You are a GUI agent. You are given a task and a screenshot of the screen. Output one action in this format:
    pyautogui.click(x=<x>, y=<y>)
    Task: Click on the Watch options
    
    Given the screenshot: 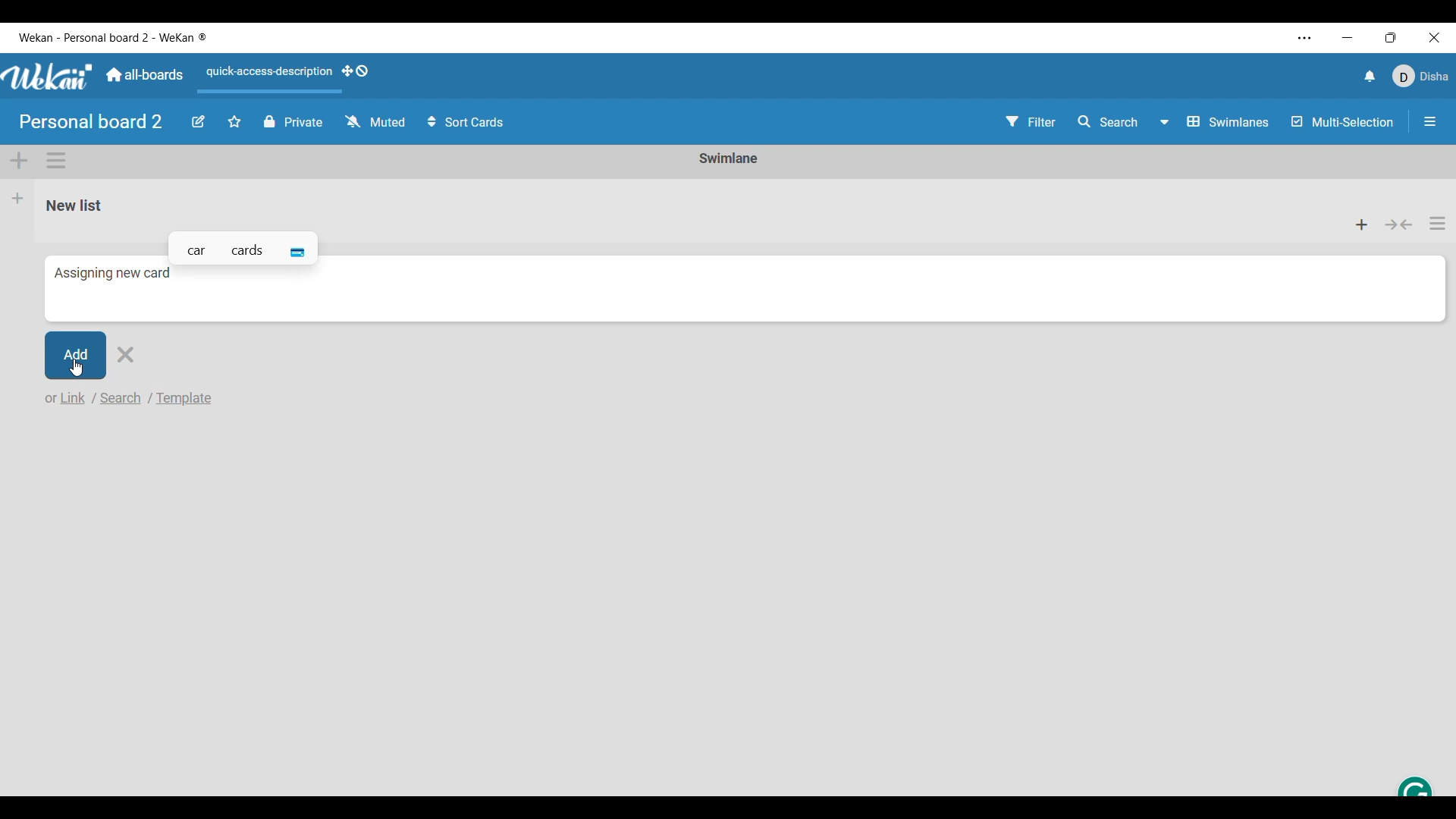 What is the action you would take?
    pyautogui.click(x=375, y=121)
    